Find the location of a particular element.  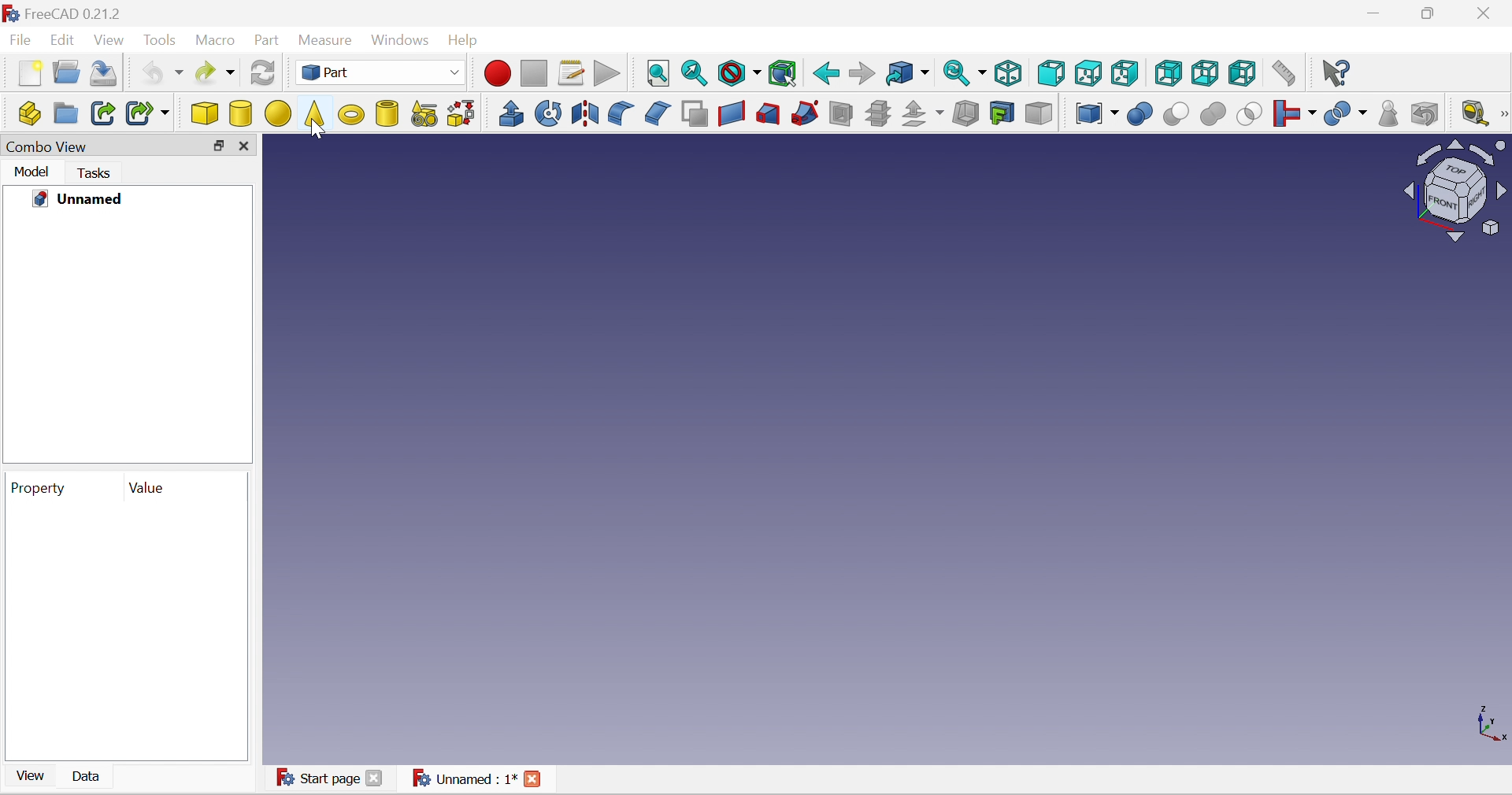

What's this? is located at coordinates (1340, 73).